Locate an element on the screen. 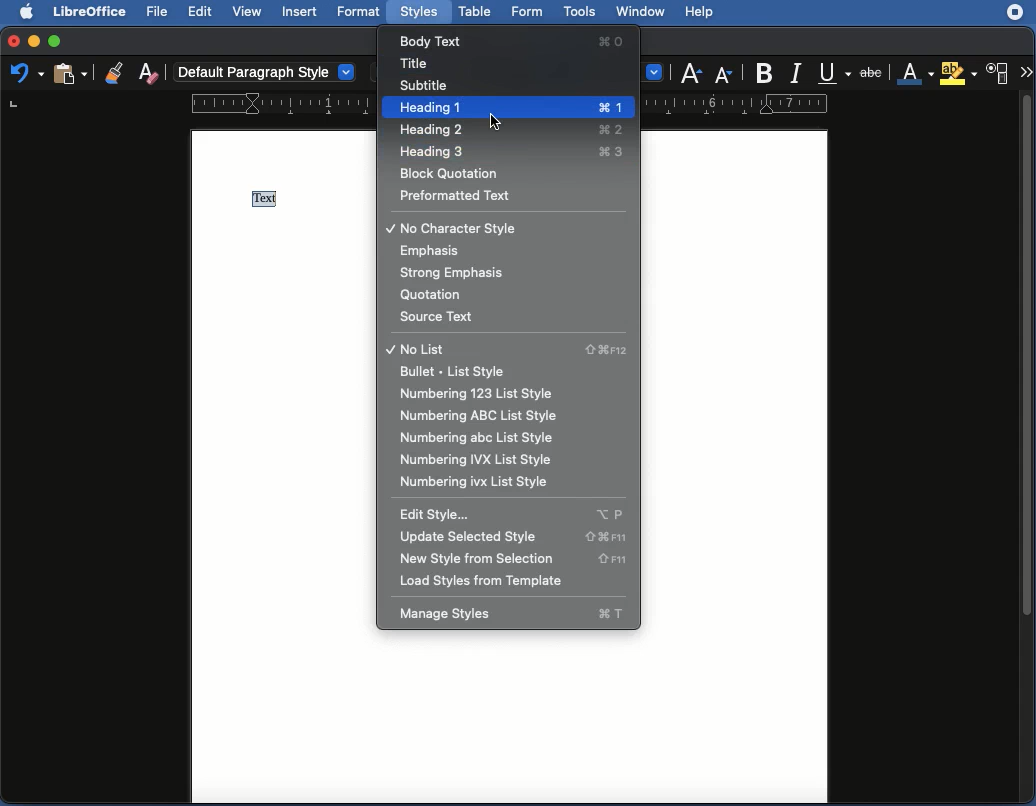 Image resolution: width=1036 pixels, height=806 pixels. Bold is located at coordinates (764, 70).